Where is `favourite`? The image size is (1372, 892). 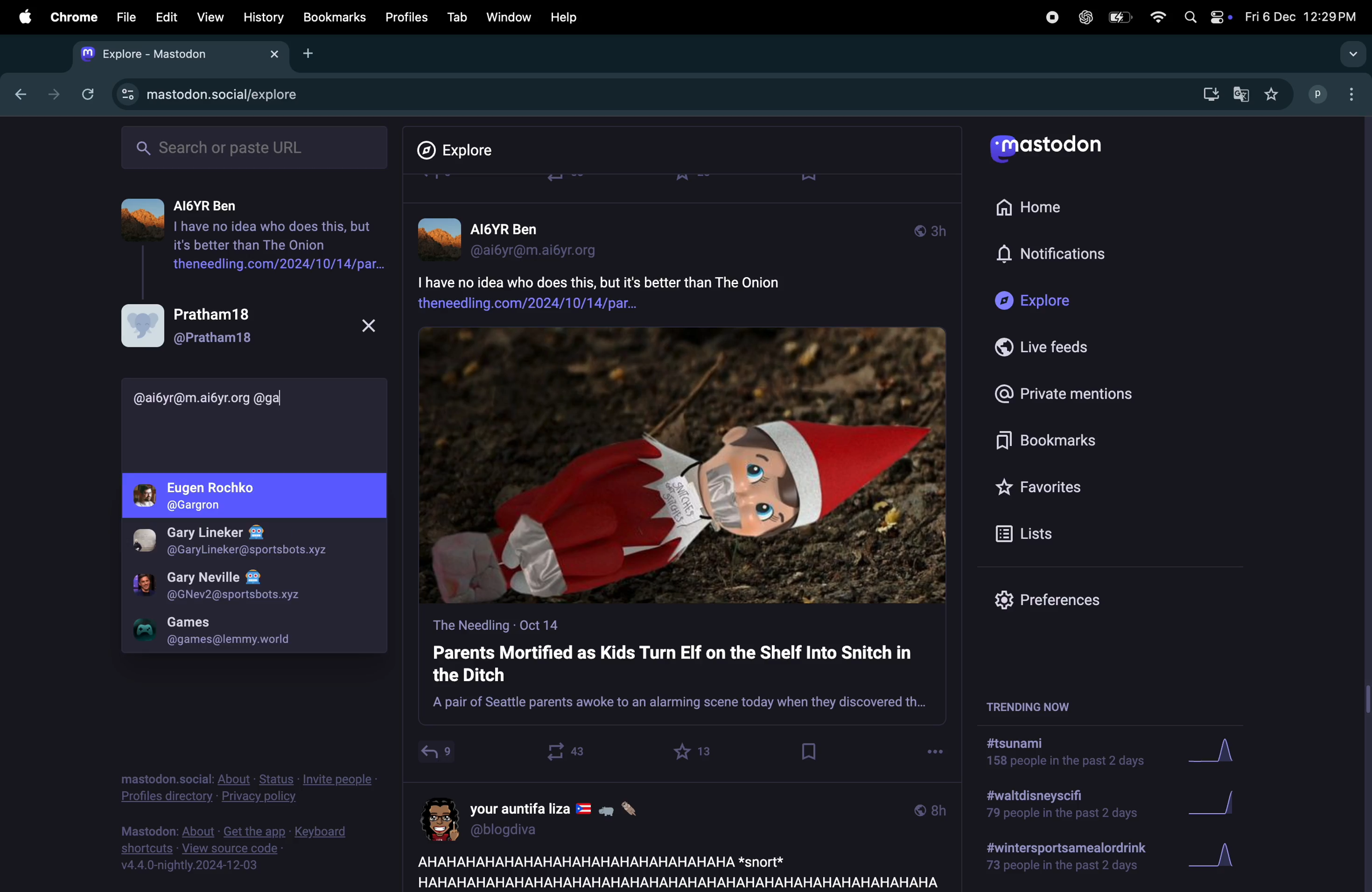
favourite is located at coordinates (695, 751).